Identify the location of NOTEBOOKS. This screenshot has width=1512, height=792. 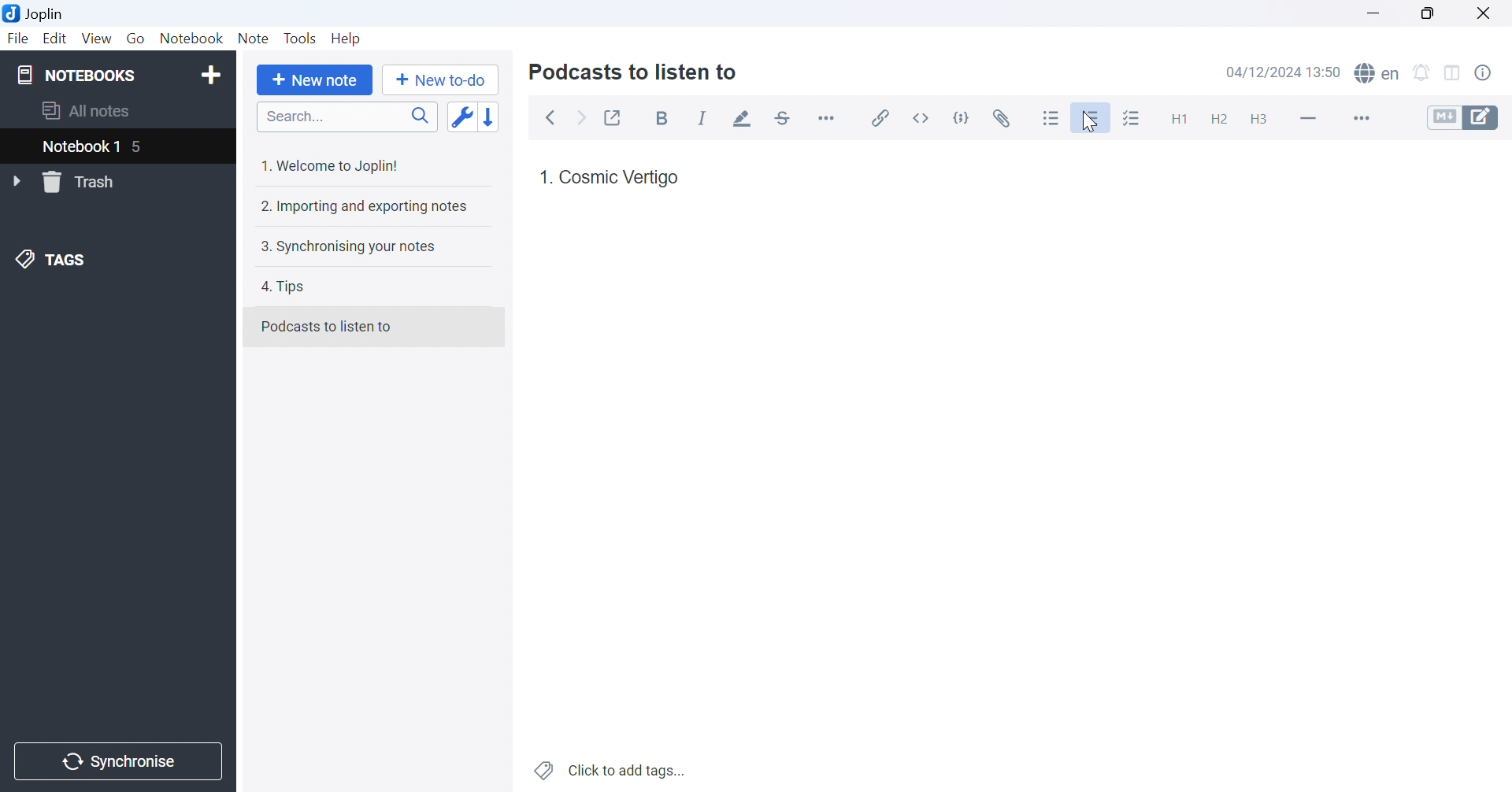
(76, 73).